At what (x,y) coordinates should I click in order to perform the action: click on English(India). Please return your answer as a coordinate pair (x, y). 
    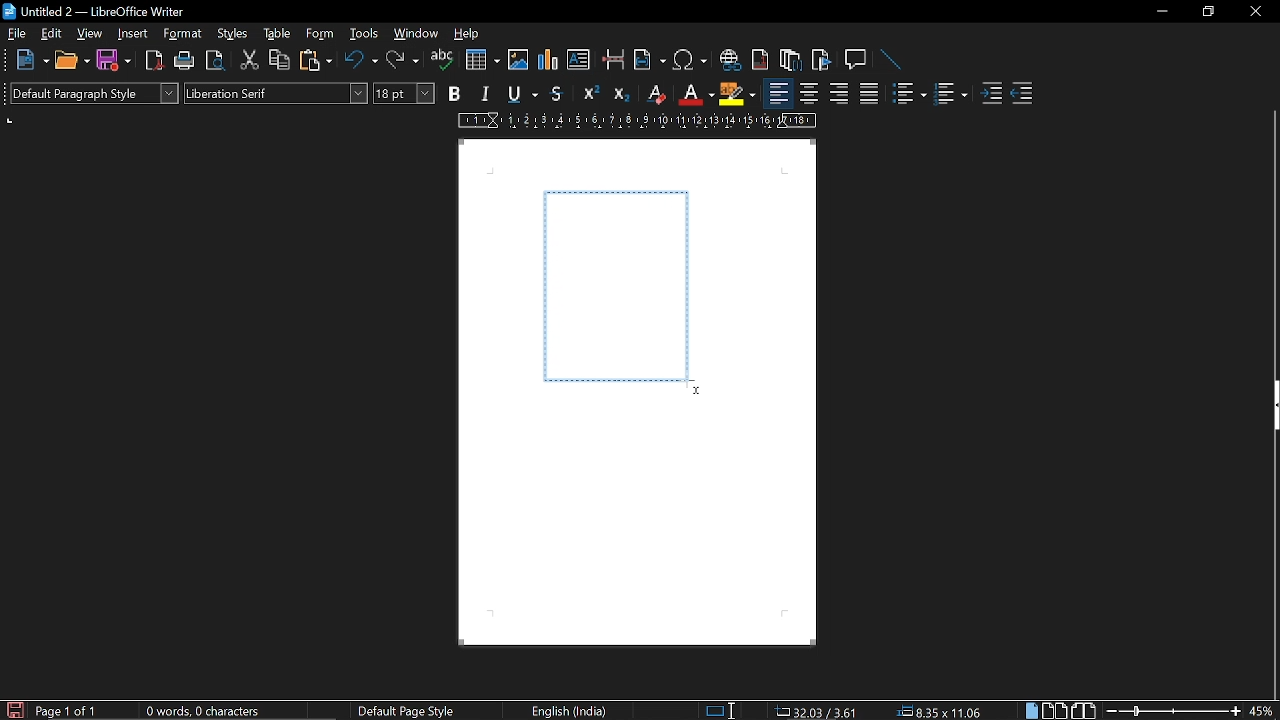
    Looking at the image, I should click on (572, 710).